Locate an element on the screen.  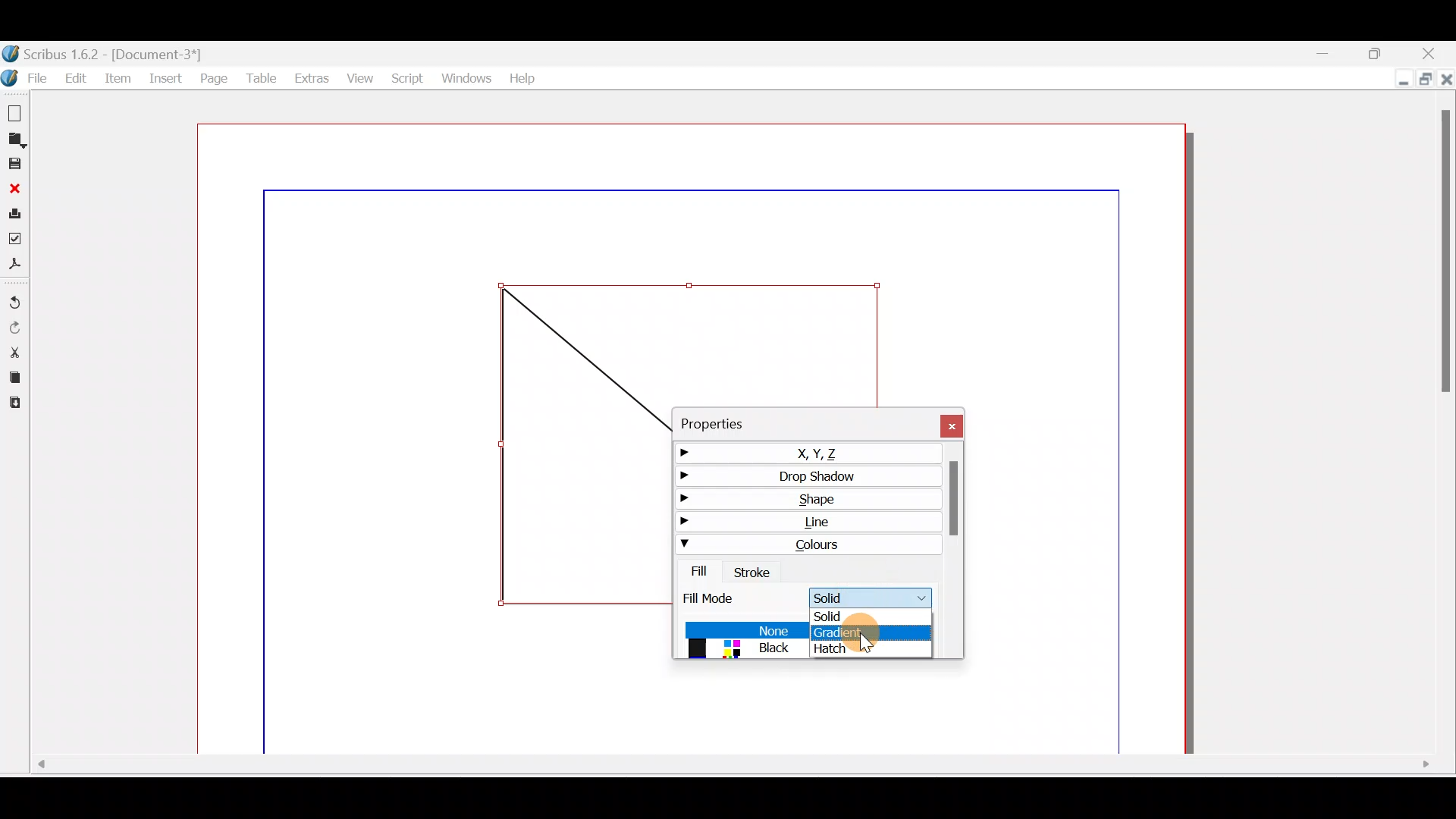
Item is located at coordinates (118, 81).